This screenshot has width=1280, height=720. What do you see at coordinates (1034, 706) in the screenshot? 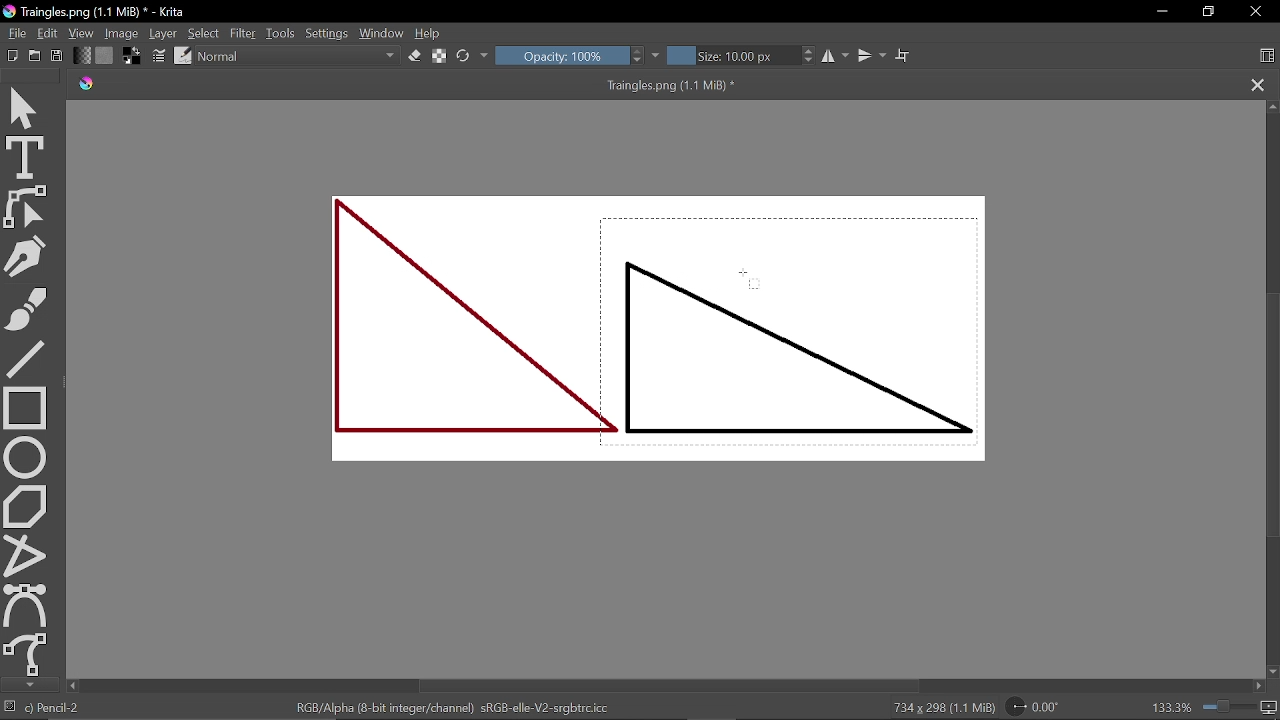
I see `Rotate` at bounding box center [1034, 706].